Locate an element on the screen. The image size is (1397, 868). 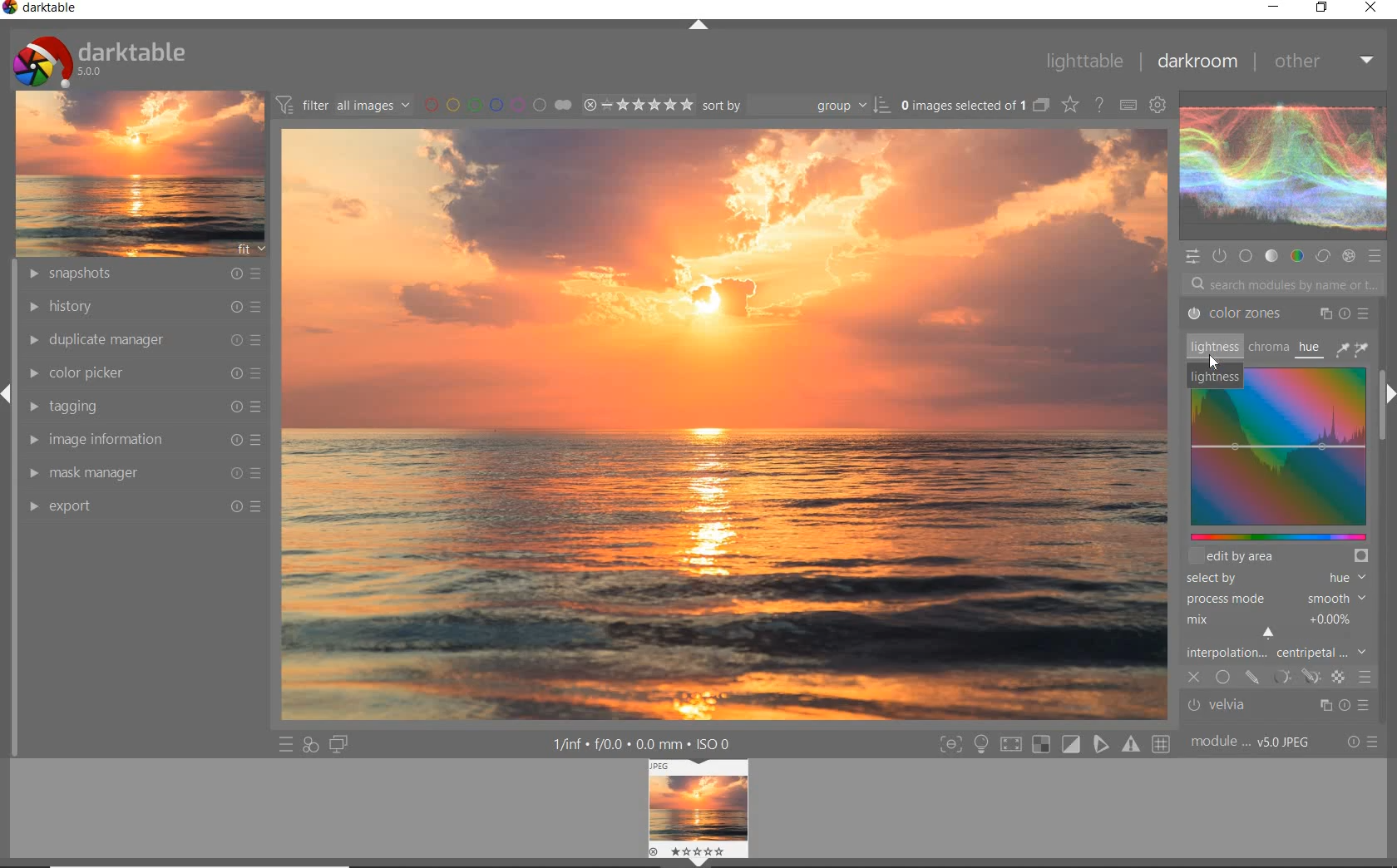
SELECTED IMAGE is located at coordinates (723, 423).